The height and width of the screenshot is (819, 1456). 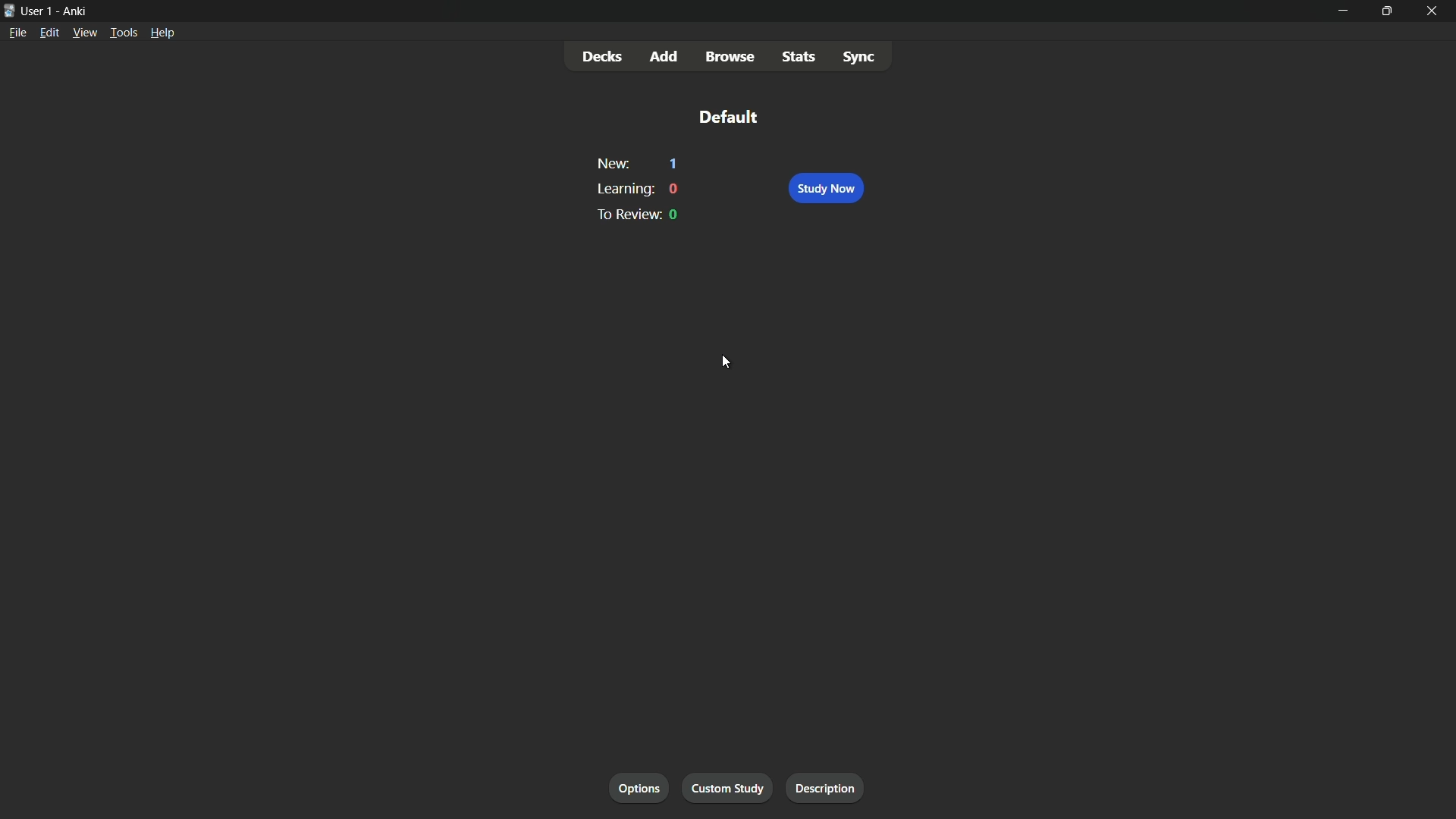 What do you see at coordinates (639, 787) in the screenshot?
I see `options` at bounding box center [639, 787].